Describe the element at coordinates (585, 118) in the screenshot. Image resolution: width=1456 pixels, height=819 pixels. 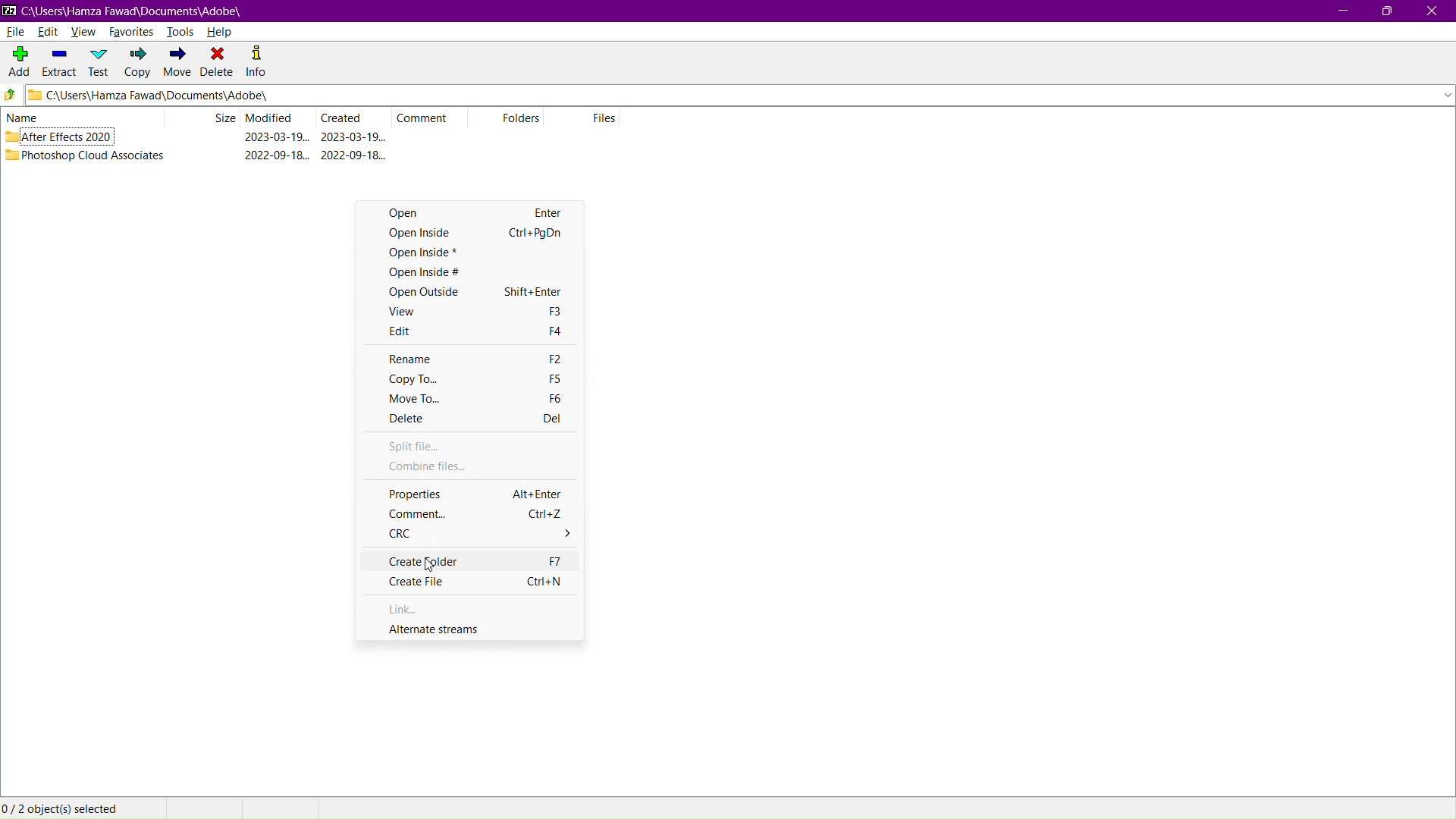
I see `Files` at that location.